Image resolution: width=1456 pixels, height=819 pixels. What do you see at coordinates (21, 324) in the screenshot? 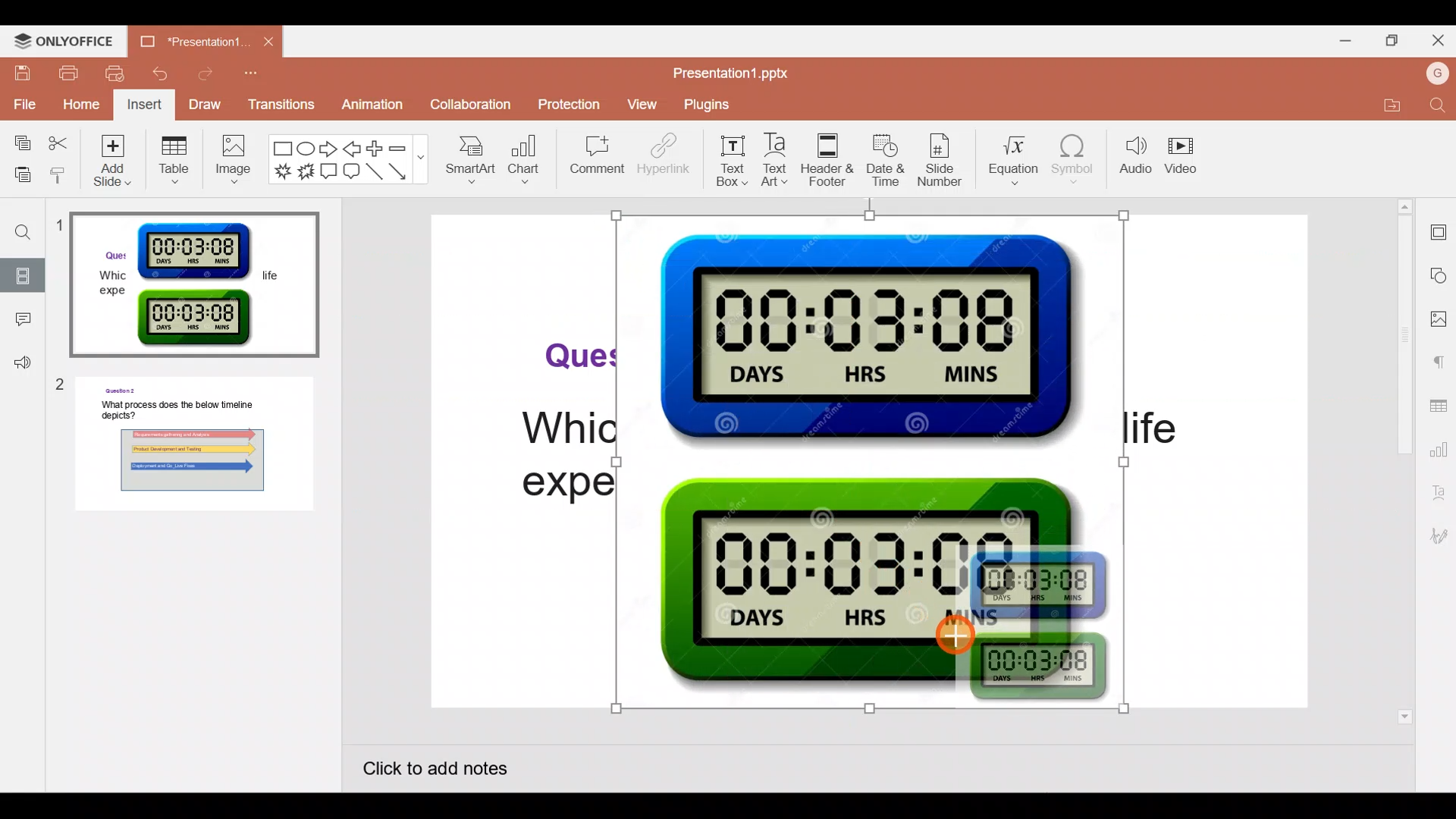
I see `Comment` at bounding box center [21, 324].